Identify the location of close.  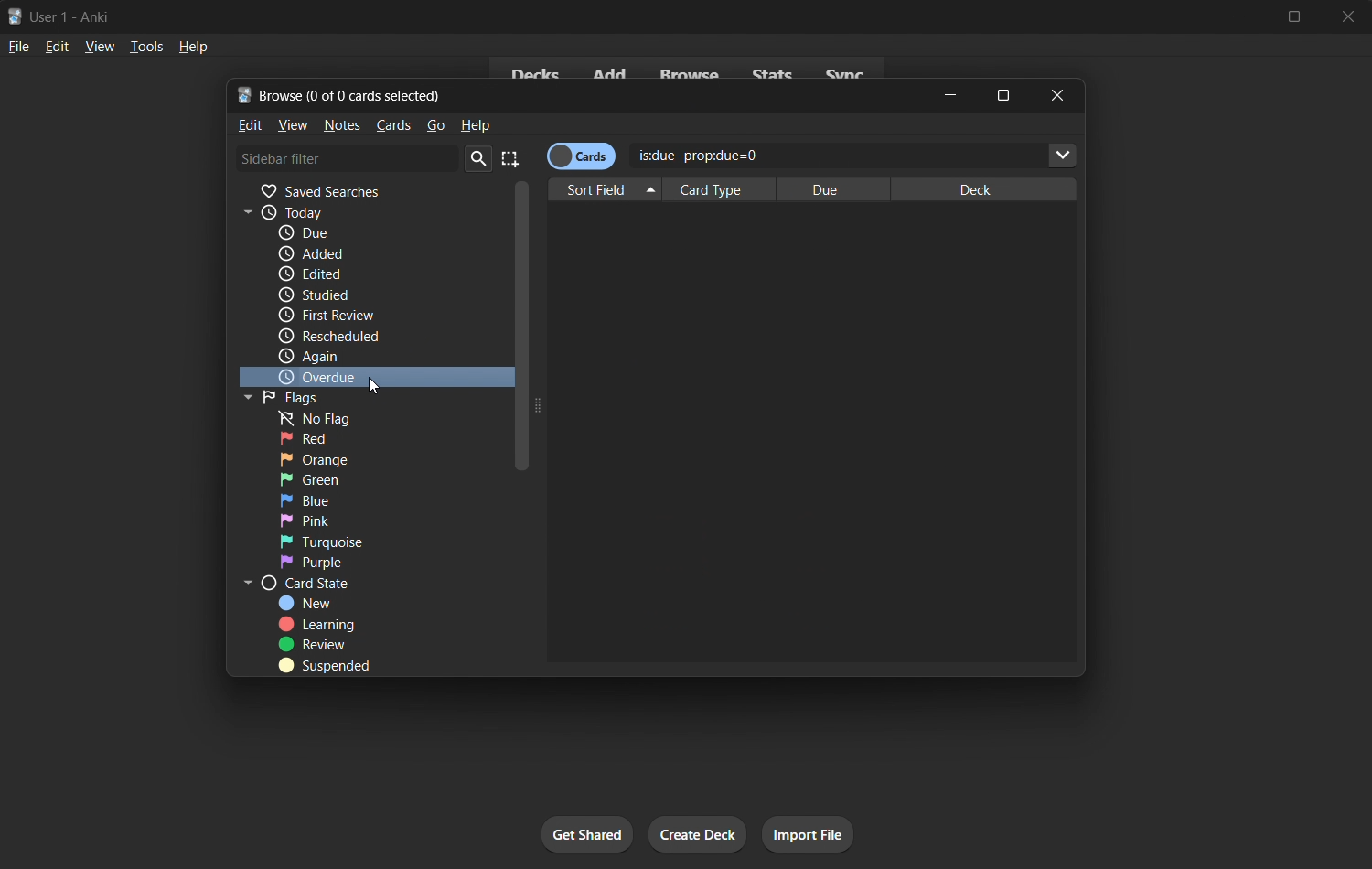
(1055, 94).